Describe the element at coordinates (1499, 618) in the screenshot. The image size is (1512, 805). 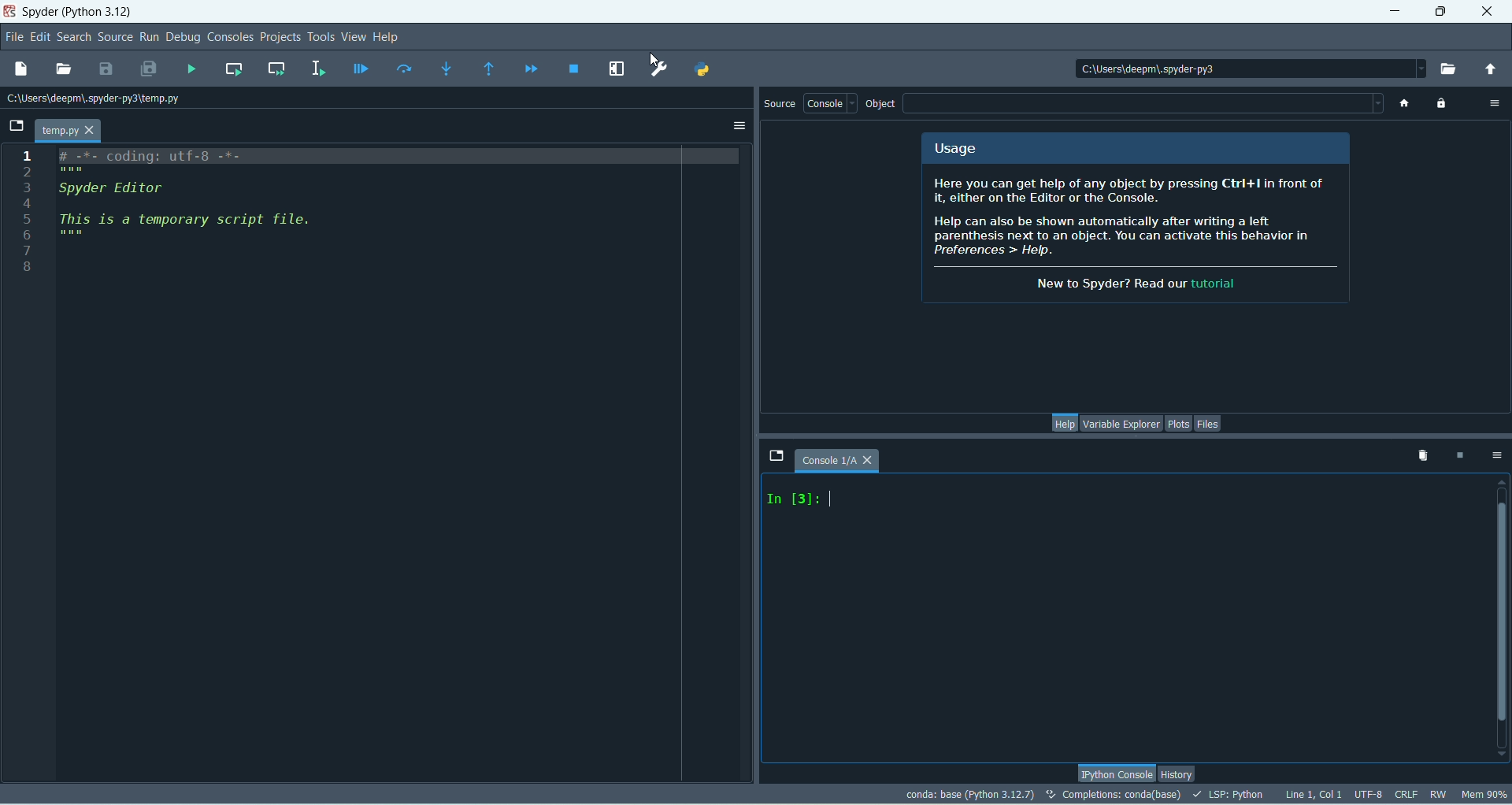
I see `vertical scroll bar` at that location.